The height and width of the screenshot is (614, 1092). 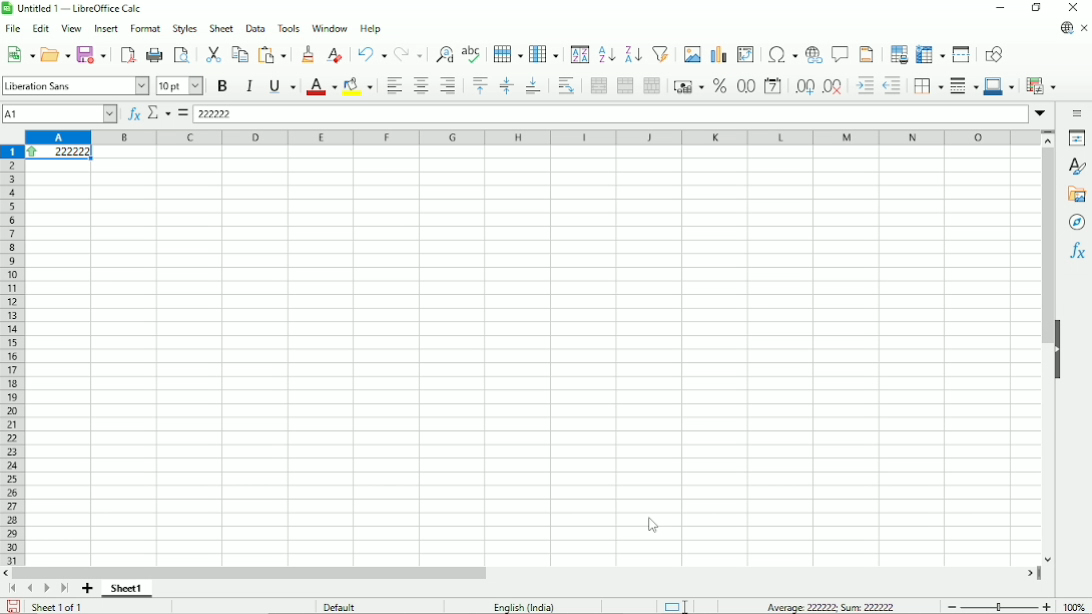 What do you see at coordinates (998, 606) in the screenshot?
I see `Zoom in/out` at bounding box center [998, 606].